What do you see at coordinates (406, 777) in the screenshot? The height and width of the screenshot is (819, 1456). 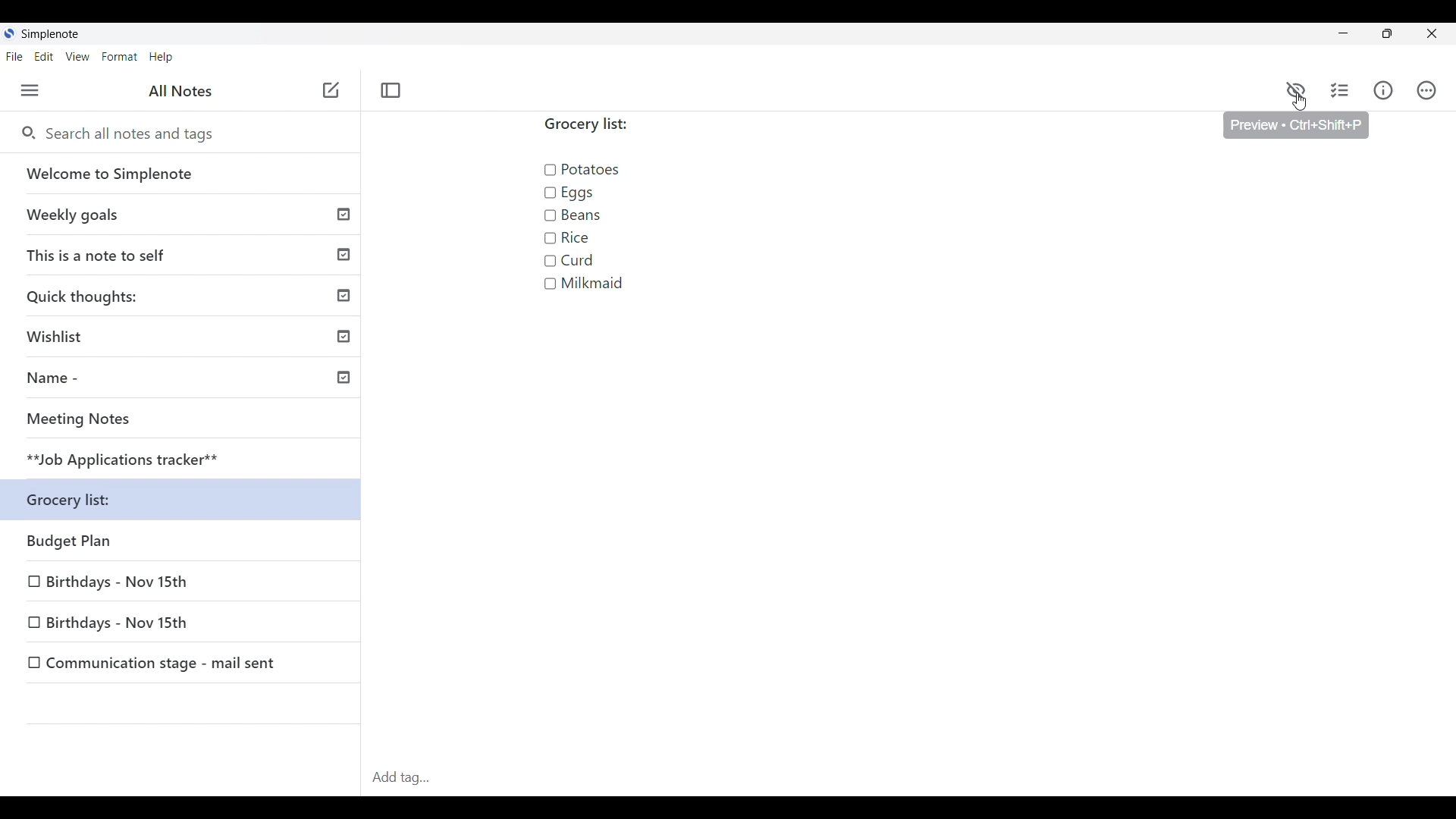 I see `Add tag...` at bounding box center [406, 777].